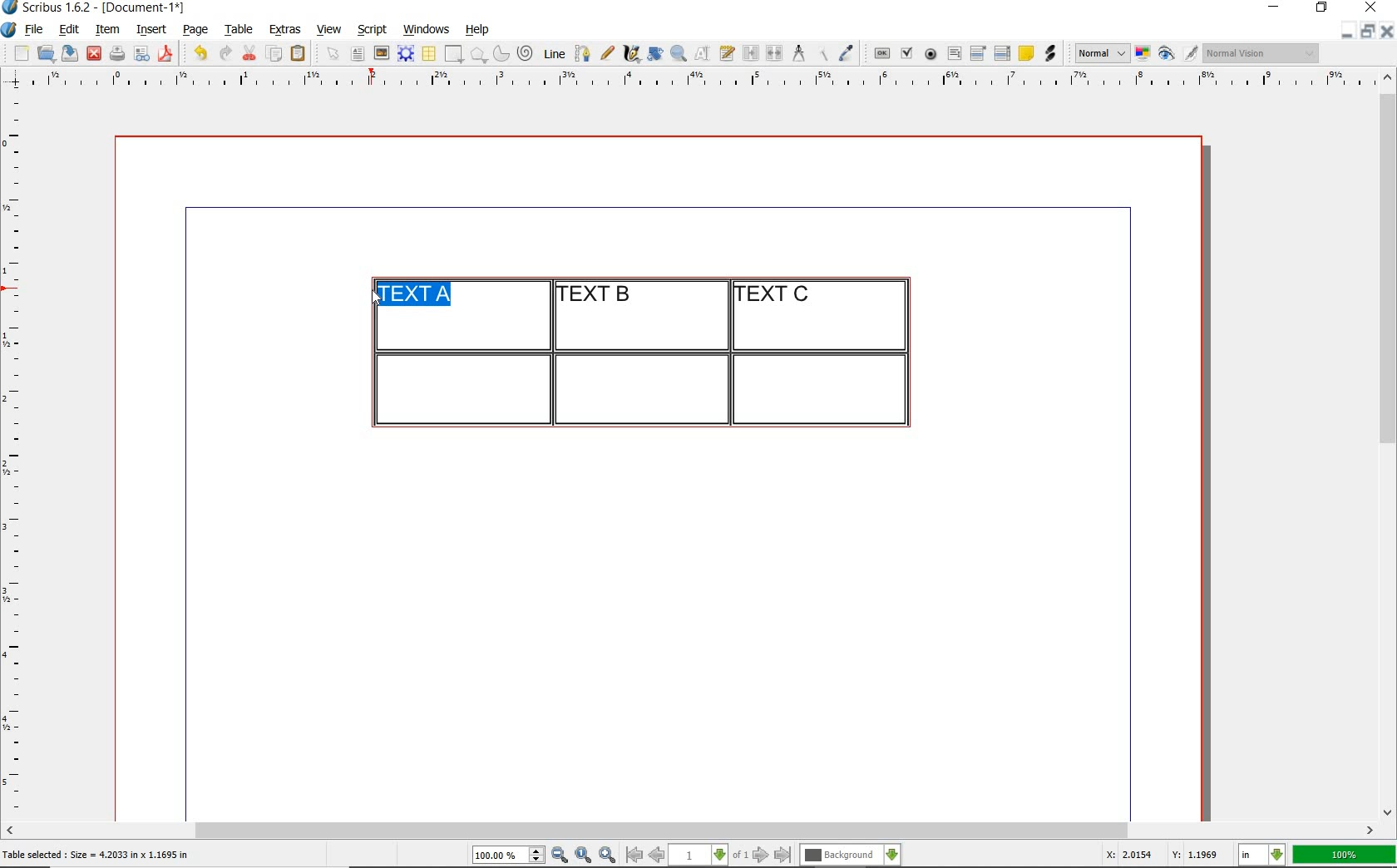  I want to click on windows, so click(427, 30).